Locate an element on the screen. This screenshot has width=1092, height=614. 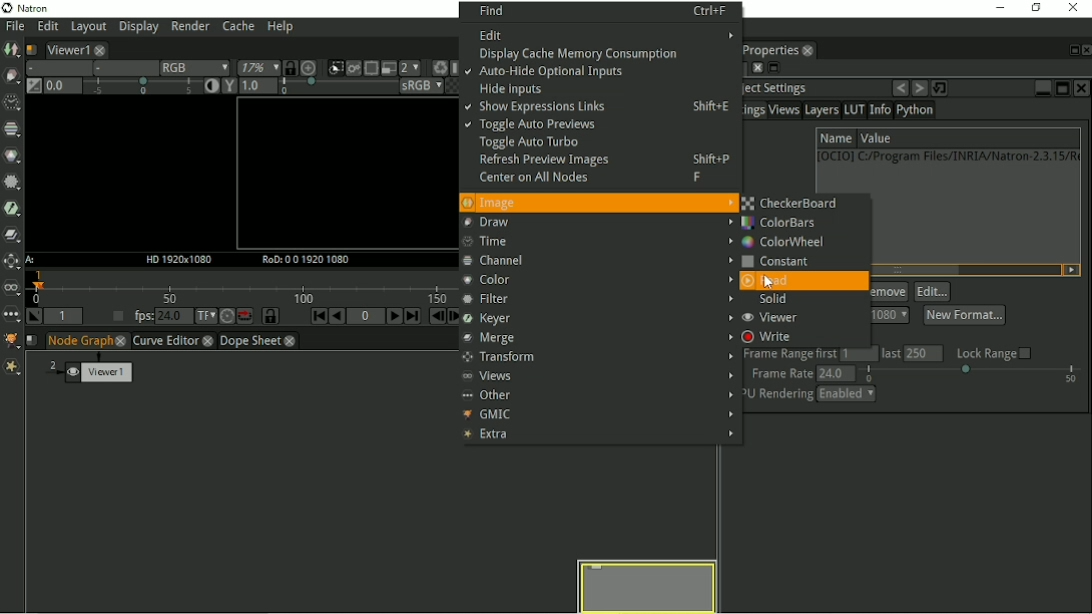
Behaviour is located at coordinates (241, 316).